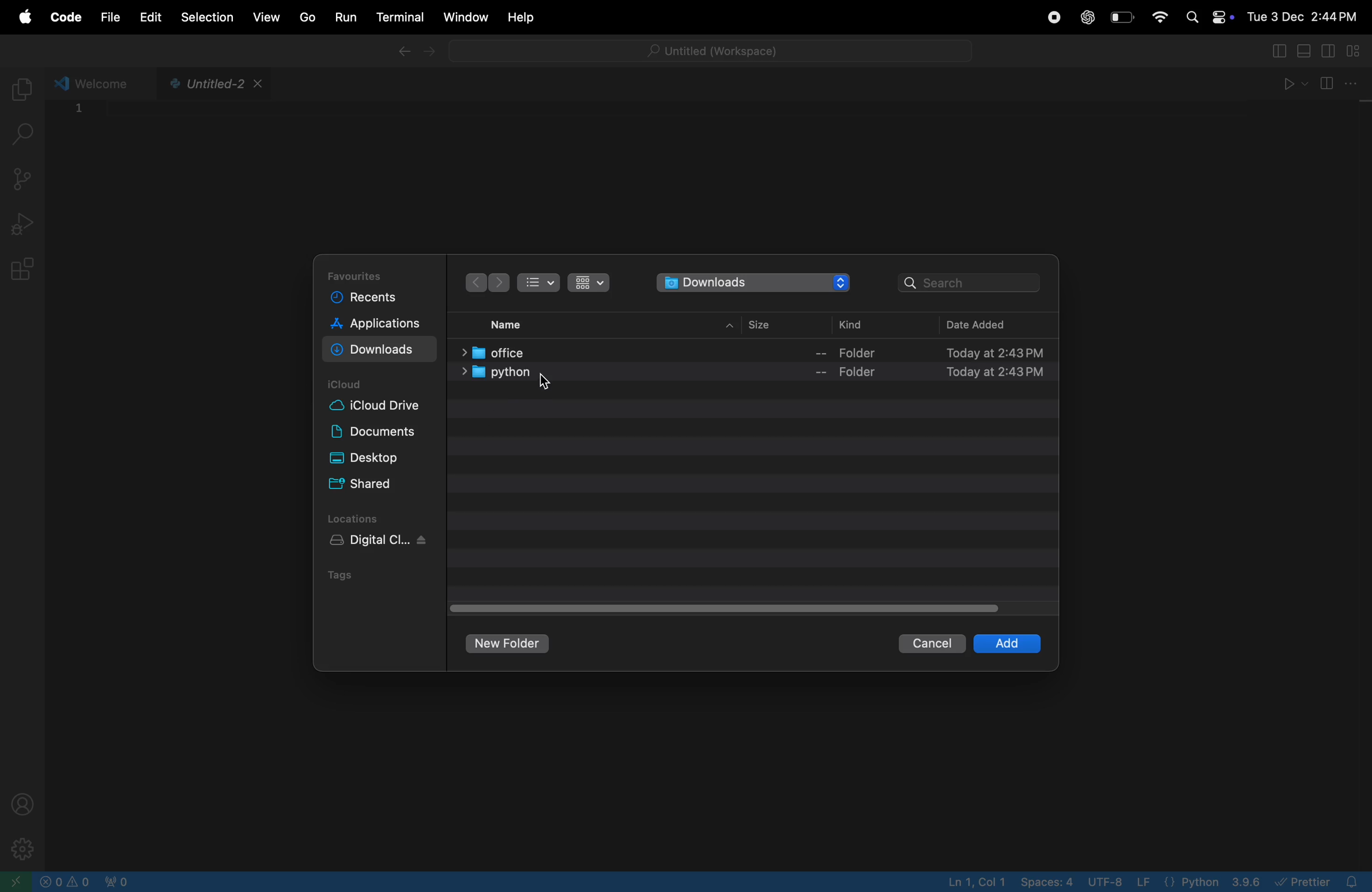 This screenshot has width=1372, height=892. What do you see at coordinates (353, 384) in the screenshot?
I see `i cloud` at bounding box center [353, 384].